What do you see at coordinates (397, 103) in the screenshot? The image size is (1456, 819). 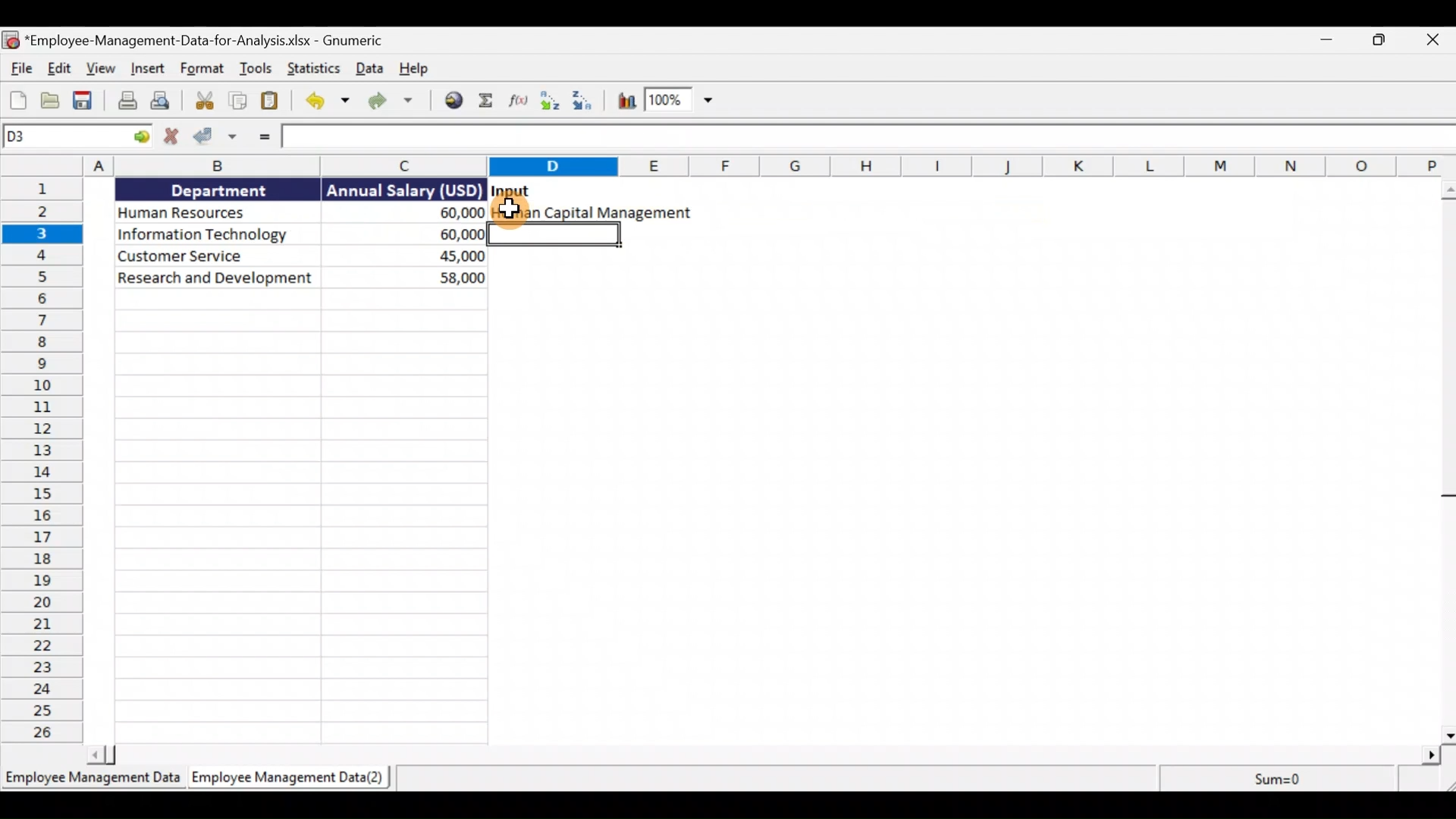 I see `Redo undone action` at bounding box center [397, 103].